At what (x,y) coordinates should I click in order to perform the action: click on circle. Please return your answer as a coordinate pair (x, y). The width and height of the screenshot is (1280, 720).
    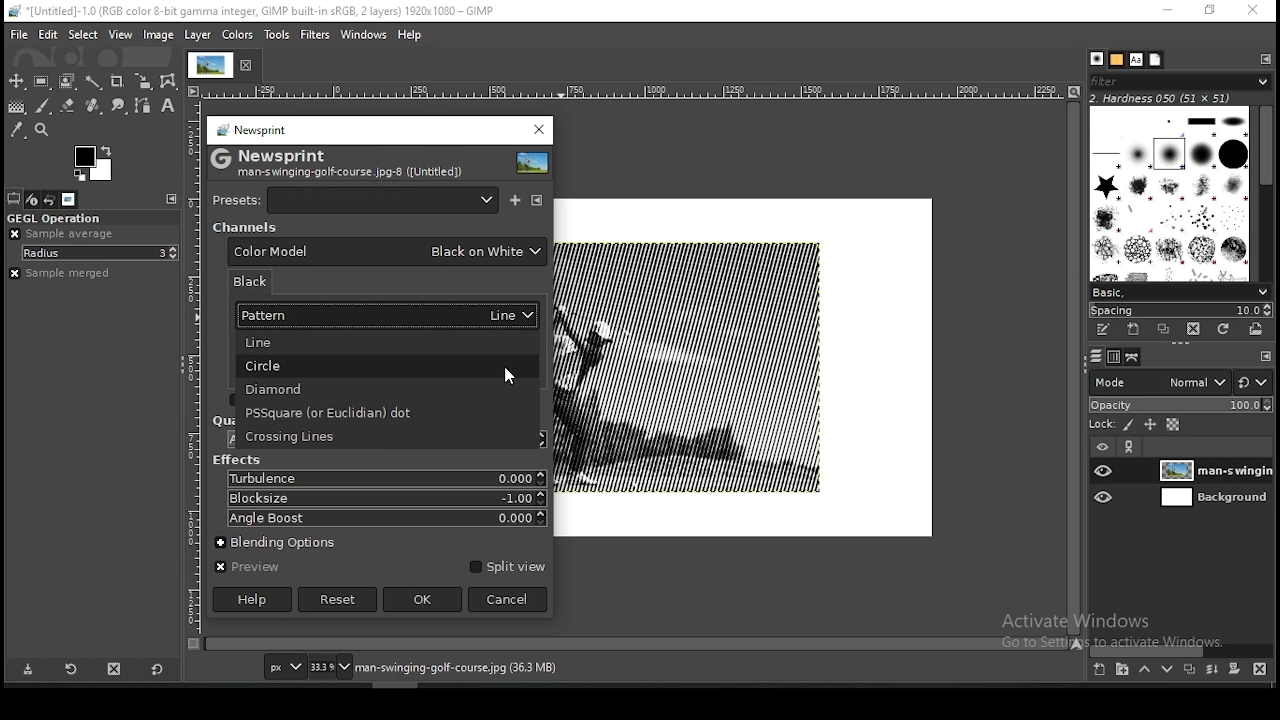
    Looking at the image, I should click on (388, 365).